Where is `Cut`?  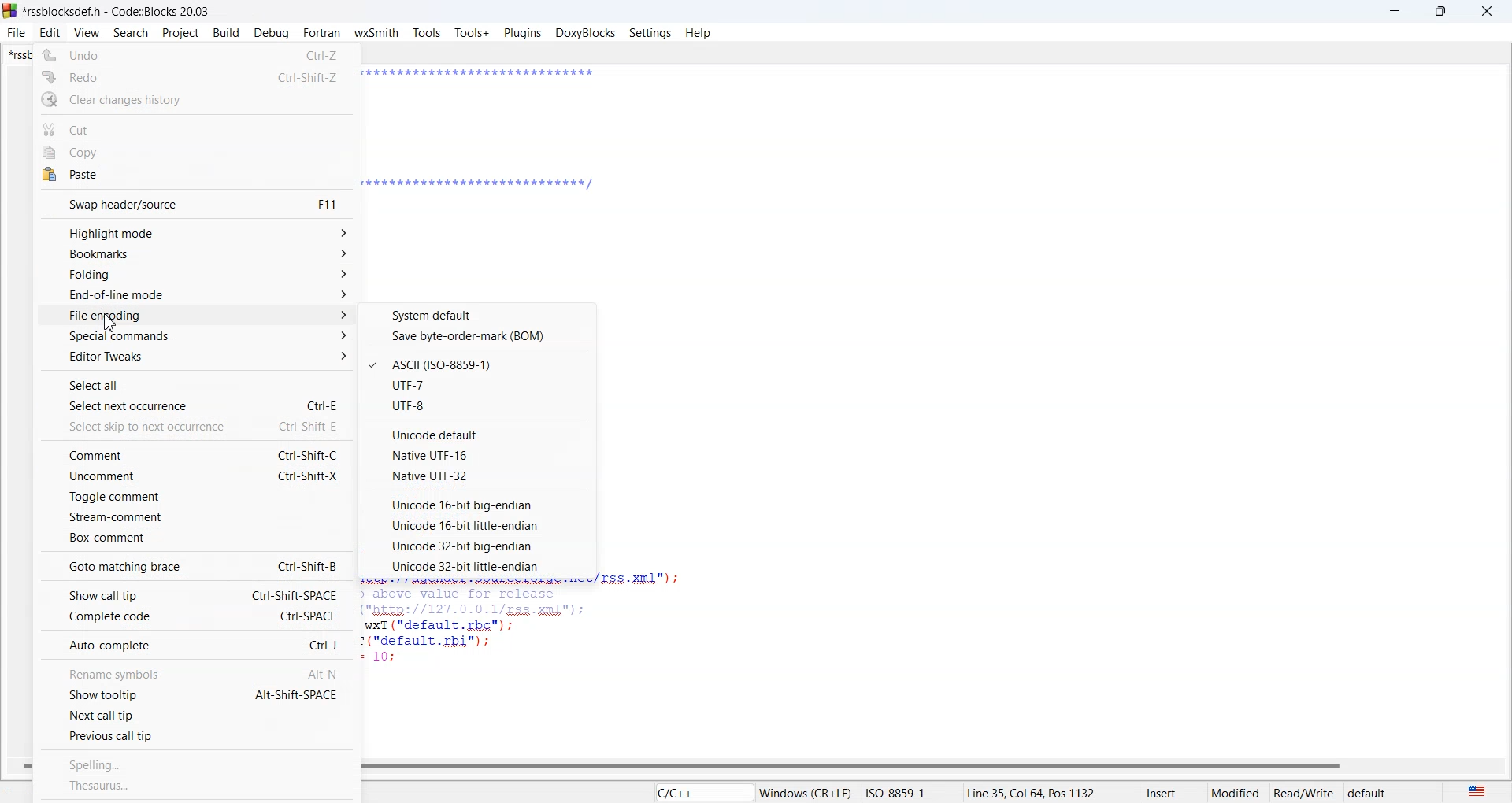 Cut is located at coordinates (197, 127).